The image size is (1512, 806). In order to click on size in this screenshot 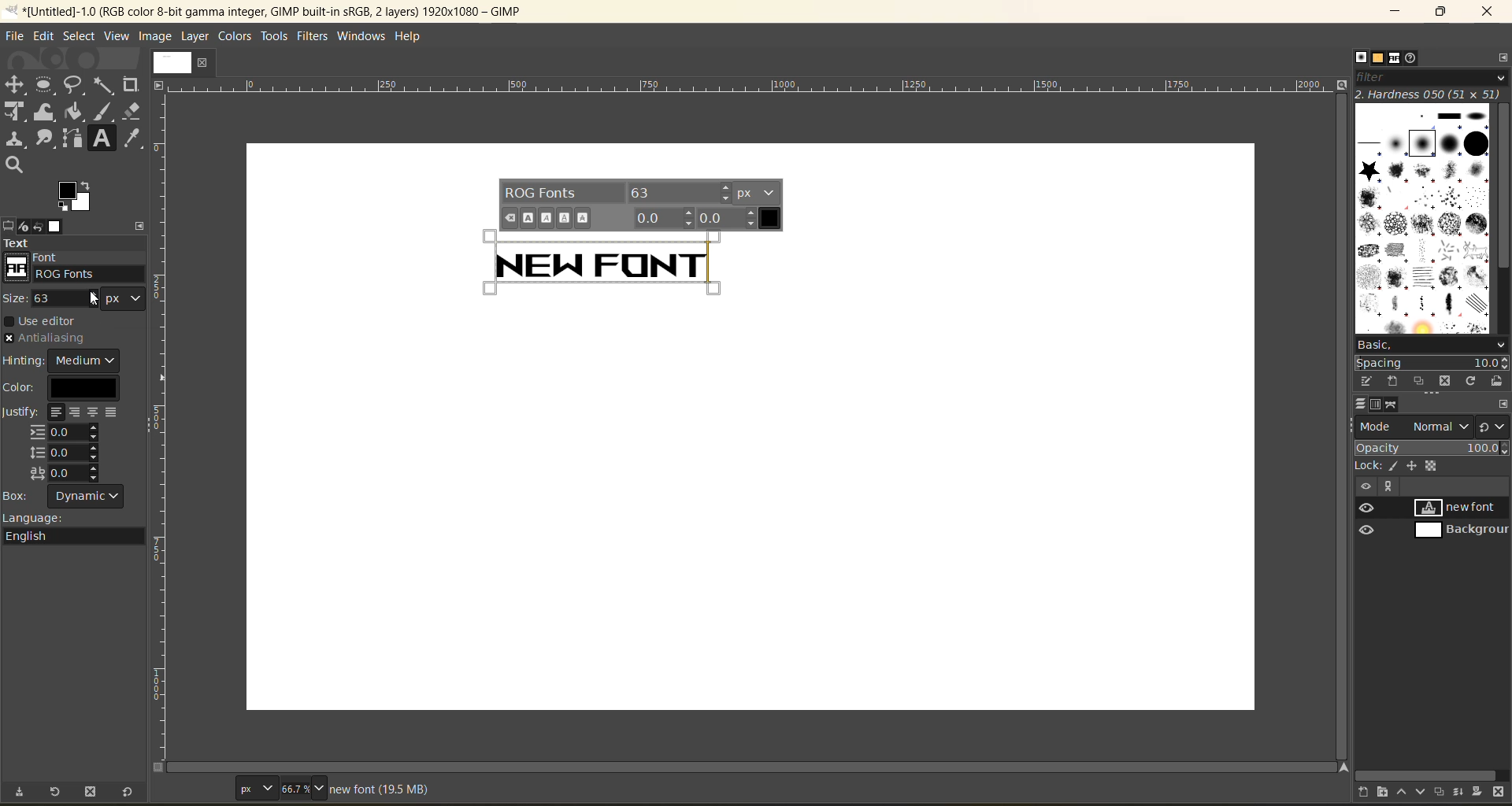, I will do `click(72, 298)`.